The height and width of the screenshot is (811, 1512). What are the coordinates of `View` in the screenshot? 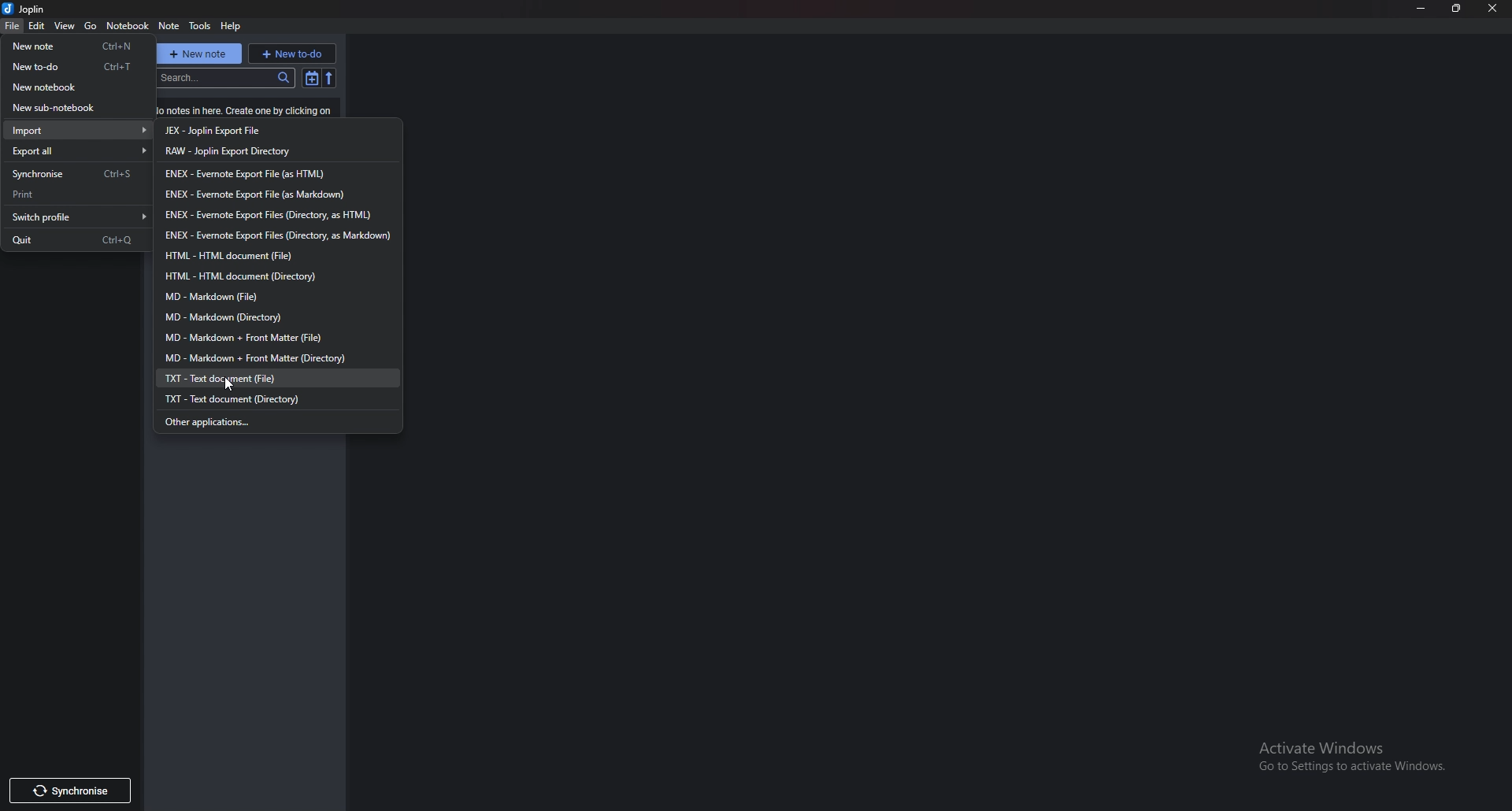 It's located at (66, 27).